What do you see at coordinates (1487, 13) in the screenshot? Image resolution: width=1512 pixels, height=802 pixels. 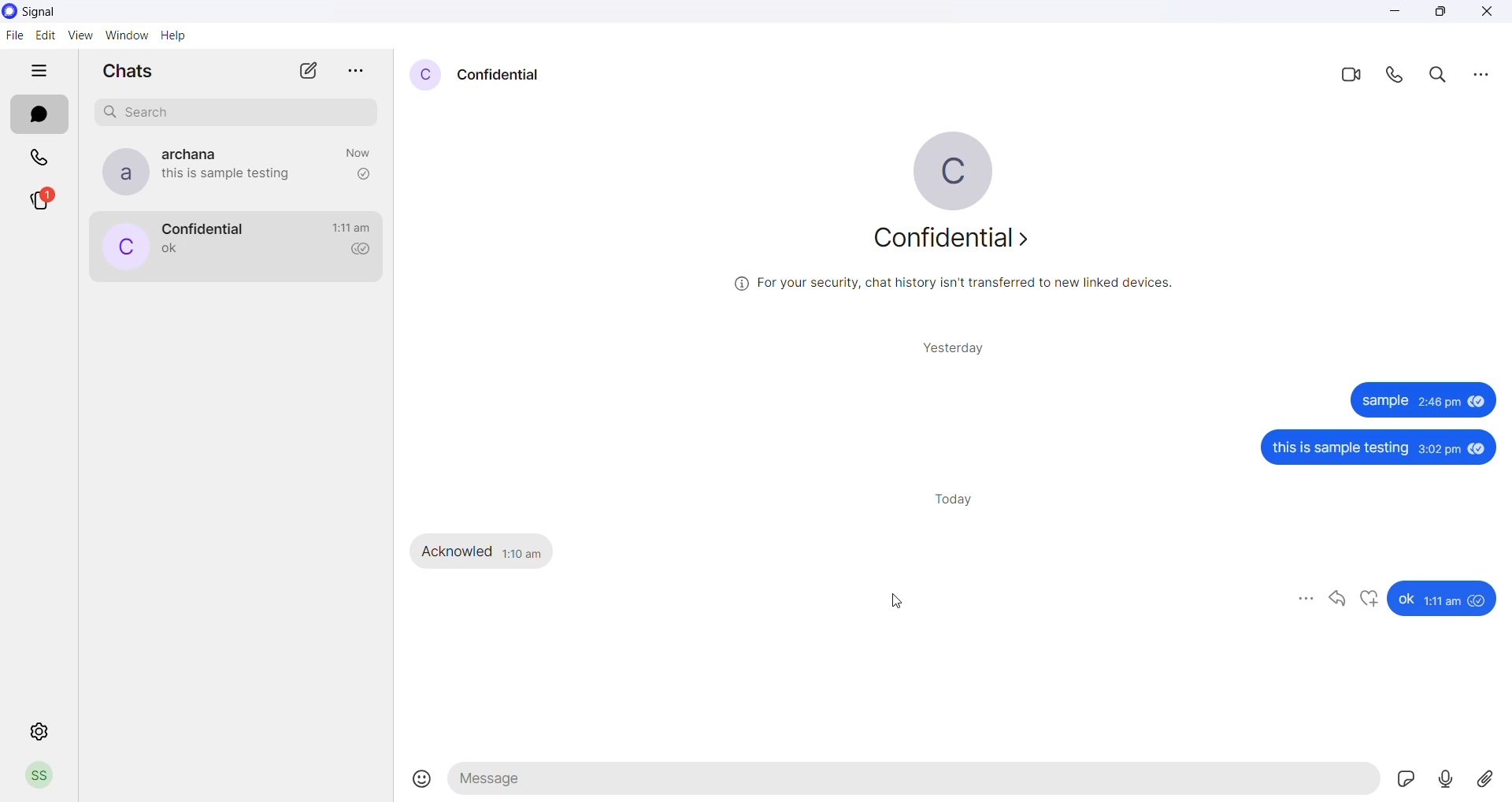 I see `close` at bounding box center [1487, 13].